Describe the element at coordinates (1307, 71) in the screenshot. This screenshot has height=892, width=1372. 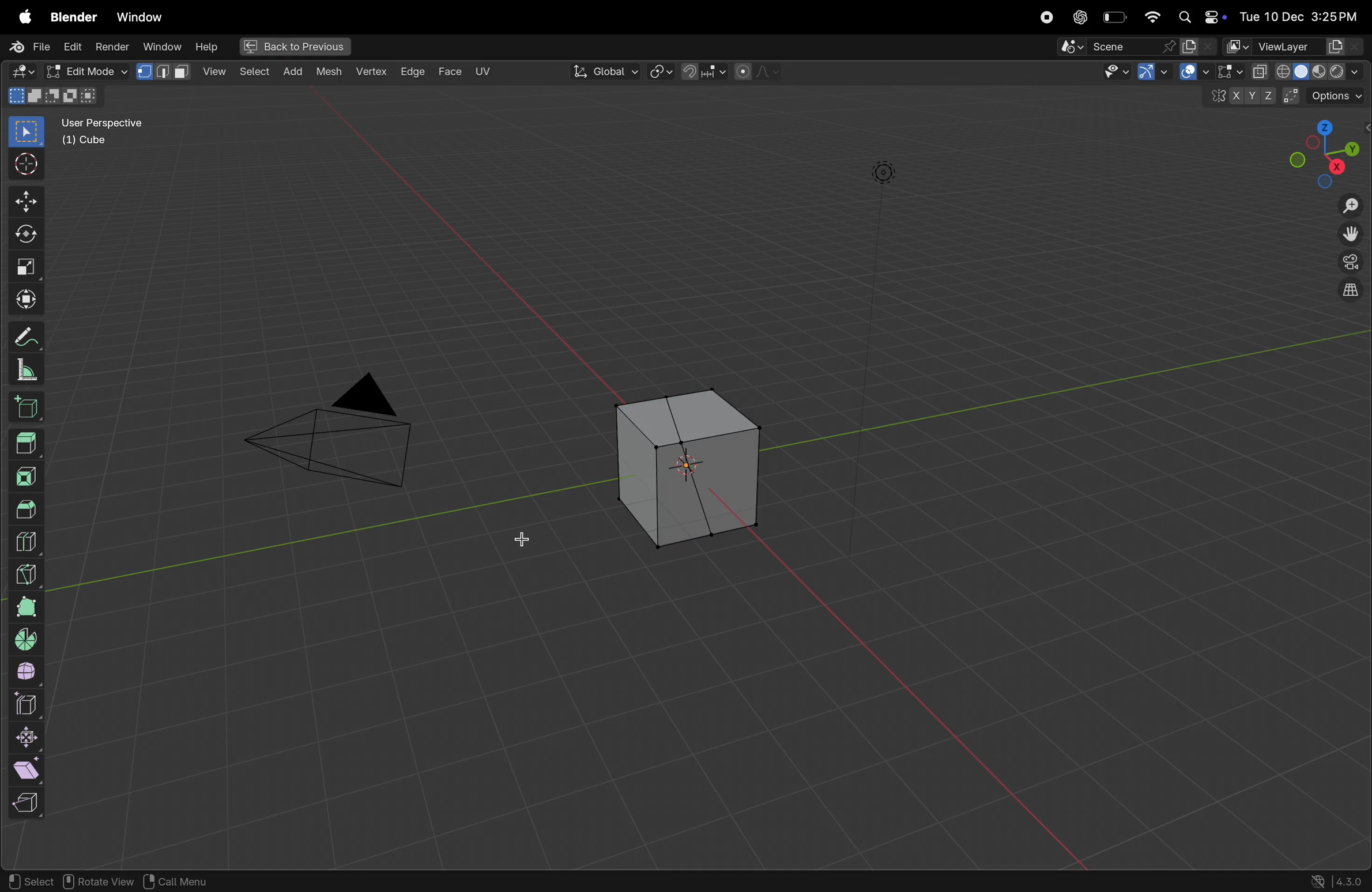
I see `View port shading` at that location.